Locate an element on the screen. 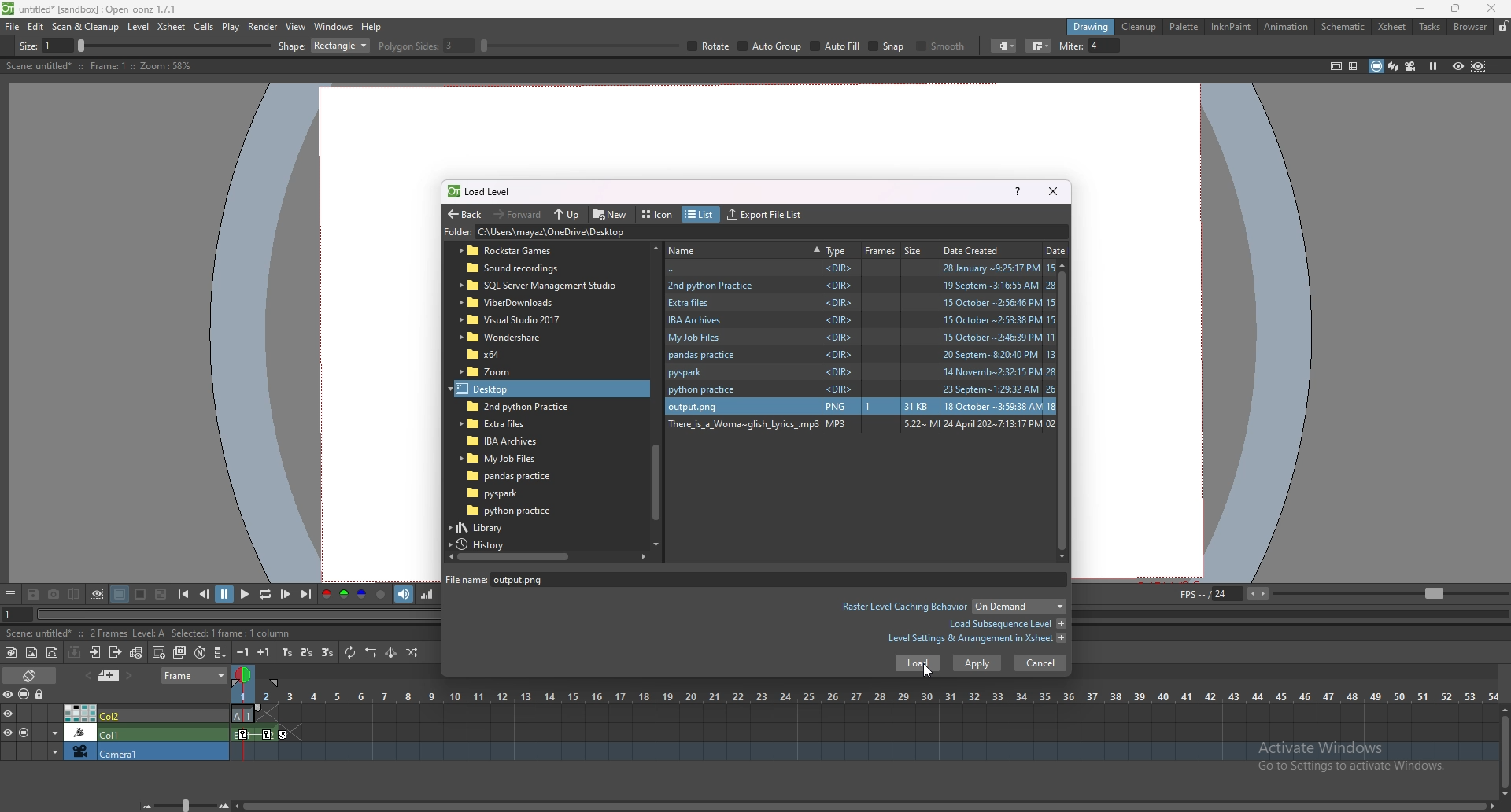 The width and height of the screenshot is (1511, 812). scroll bar is located at coordinates (865, 806).